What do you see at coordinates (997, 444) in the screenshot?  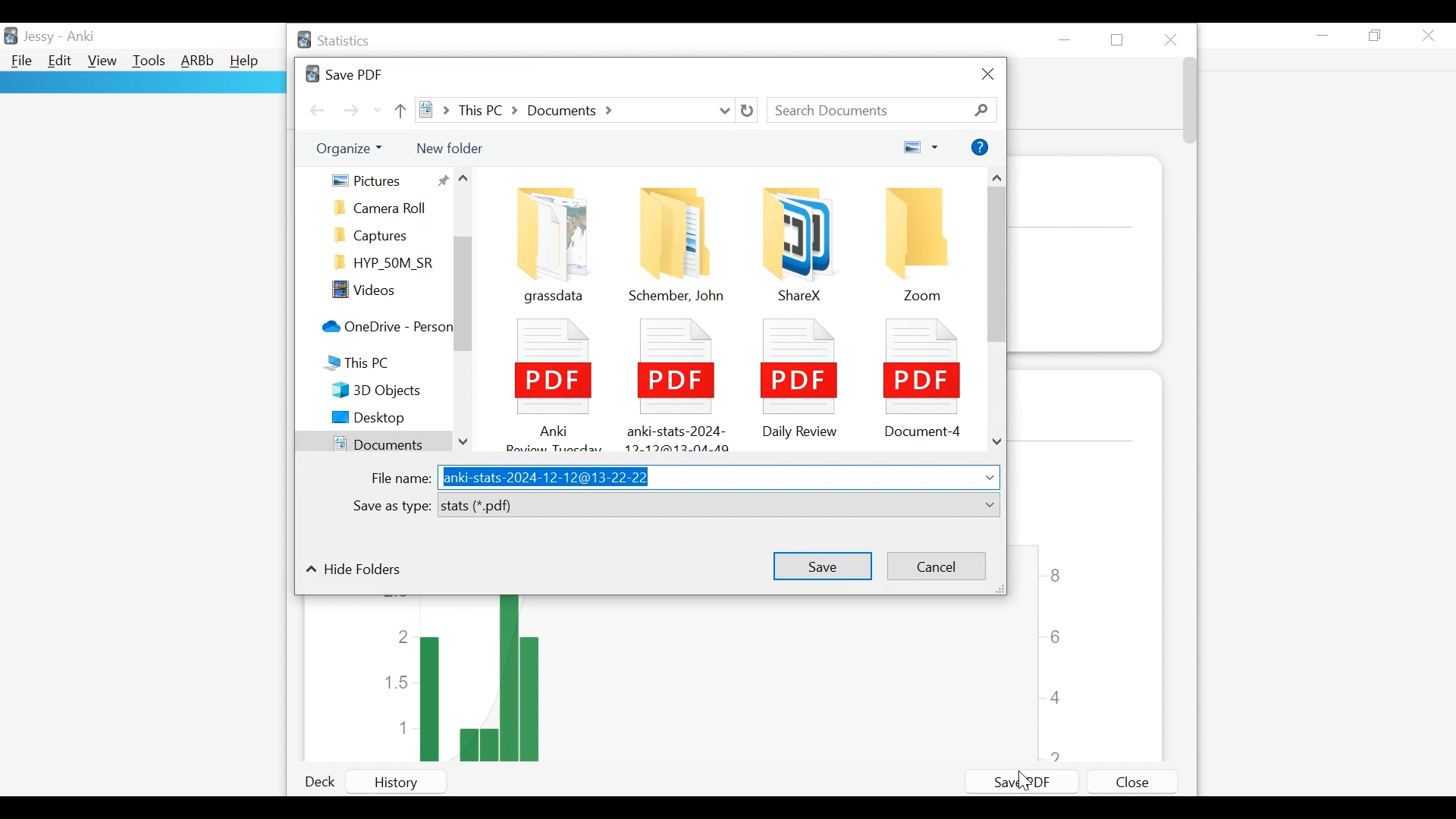 I see `Scroll down` at bounding box center [997, 444].